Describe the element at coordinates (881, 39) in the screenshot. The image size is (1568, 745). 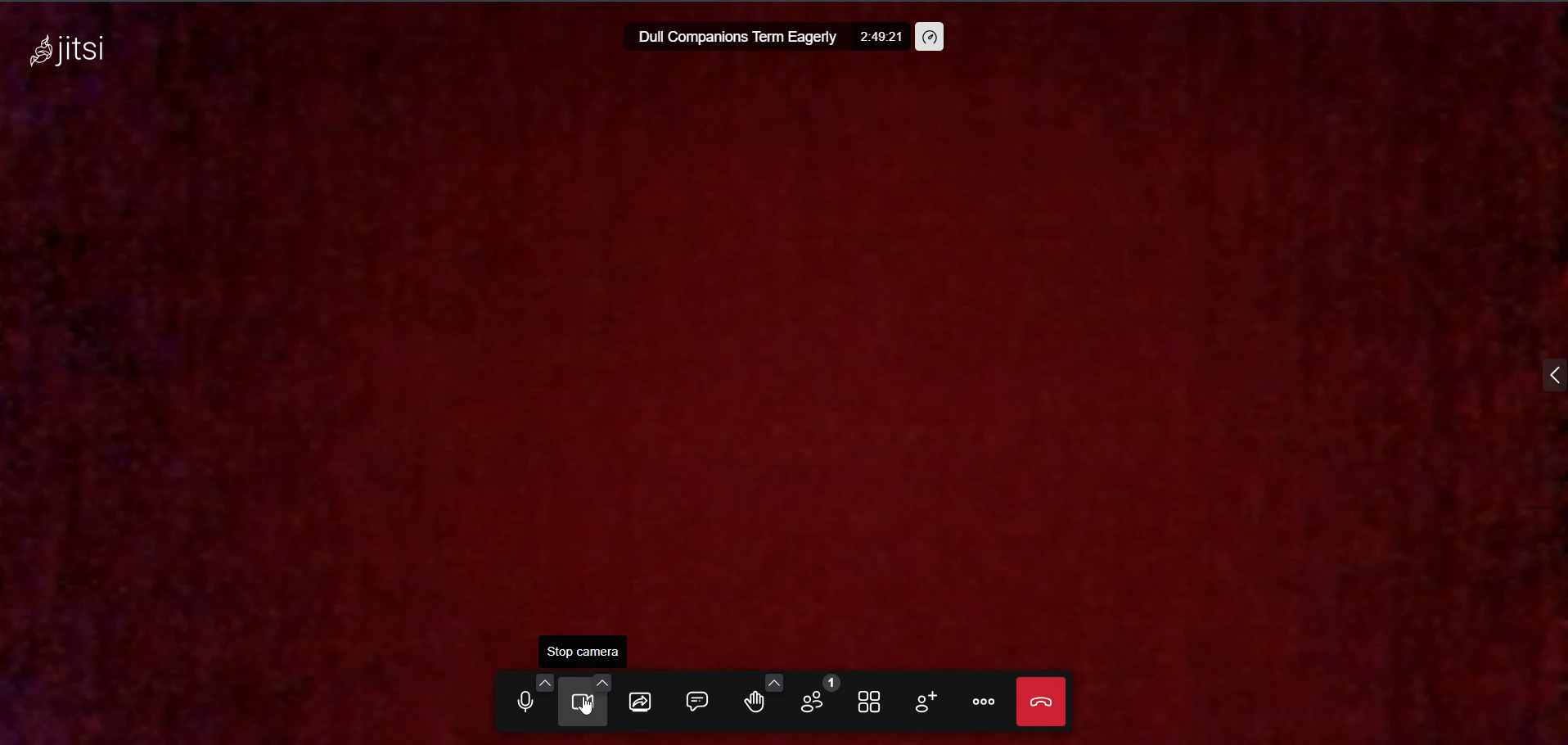
I see `time` at that location.